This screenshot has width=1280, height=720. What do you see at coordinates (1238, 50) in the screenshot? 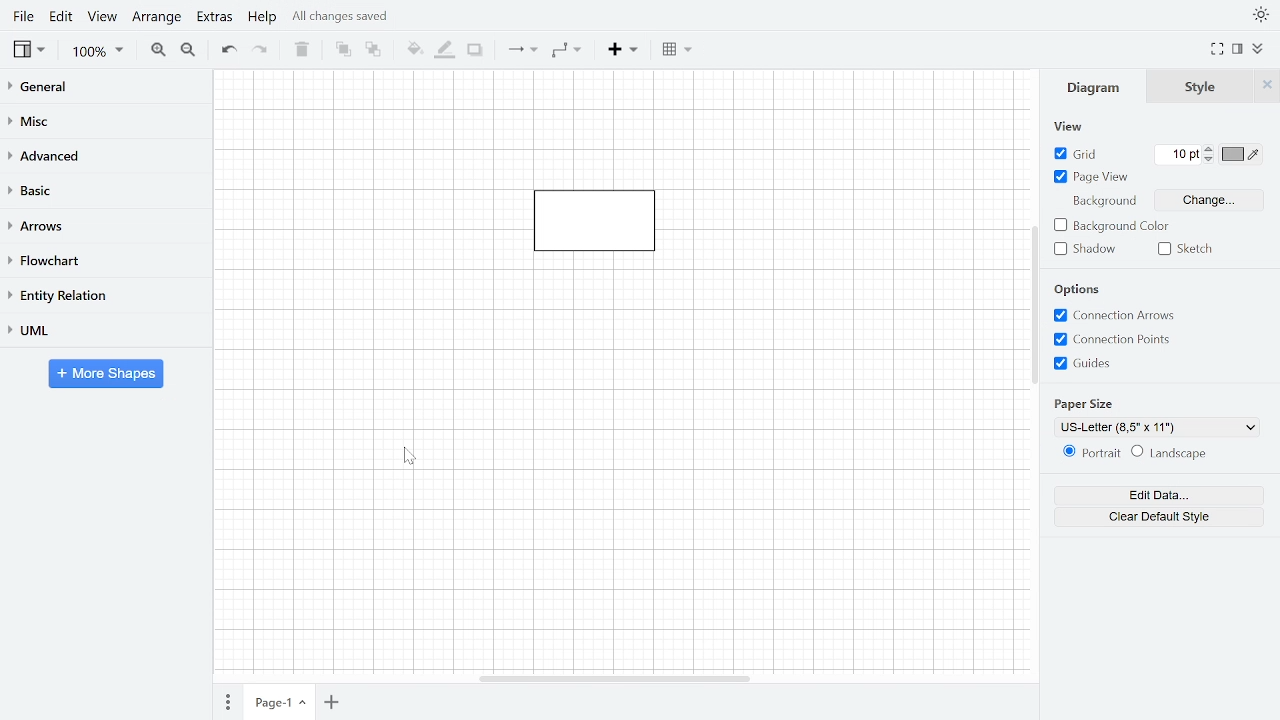
I see `Format` at bounding box center [1238, 50].